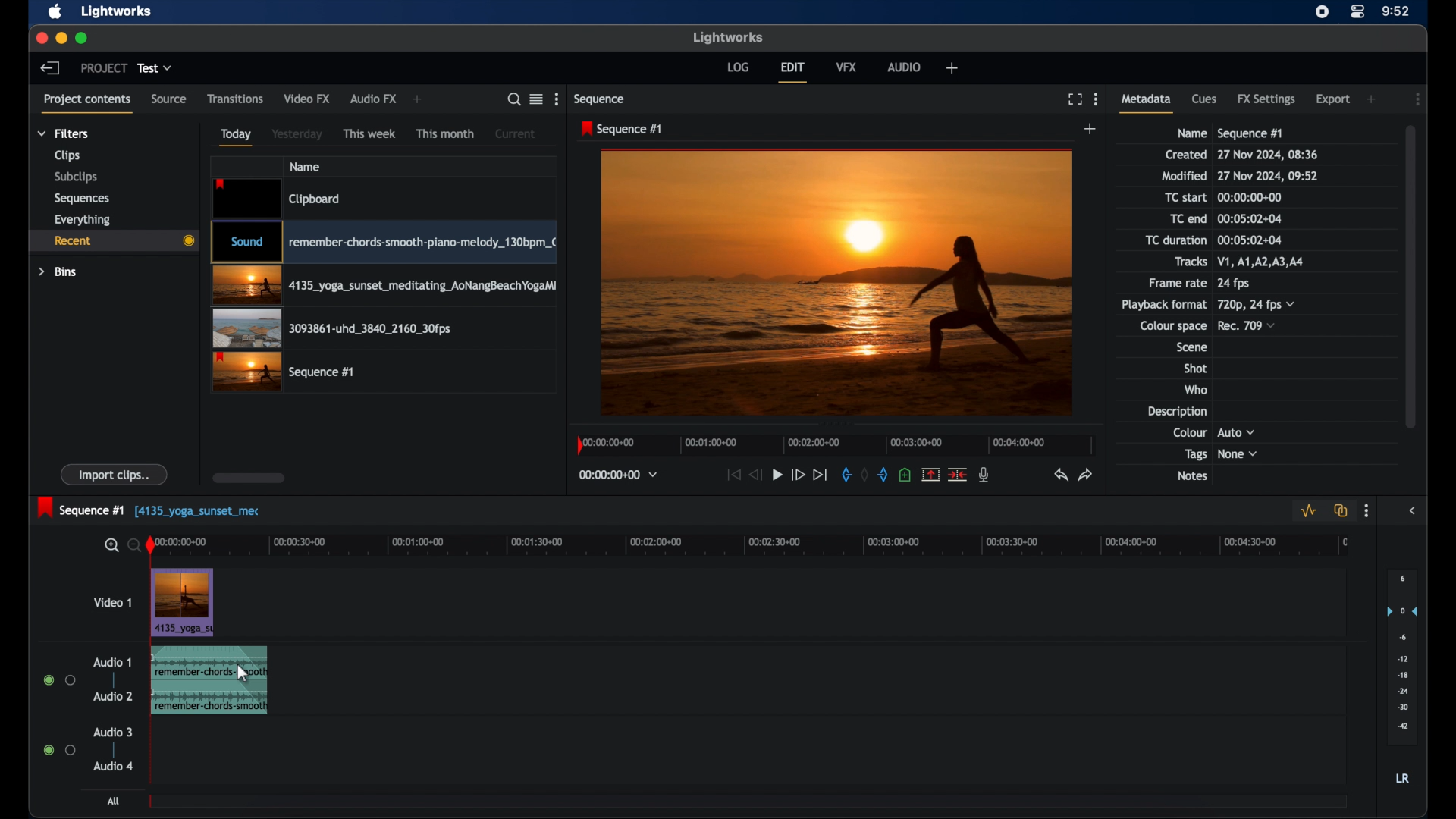 The width and height of the screenshot is (1456, 819). What do you see at coordinates (114, 767) in the screenshot?
I see `audio 4` at bounding box center [114, 767].